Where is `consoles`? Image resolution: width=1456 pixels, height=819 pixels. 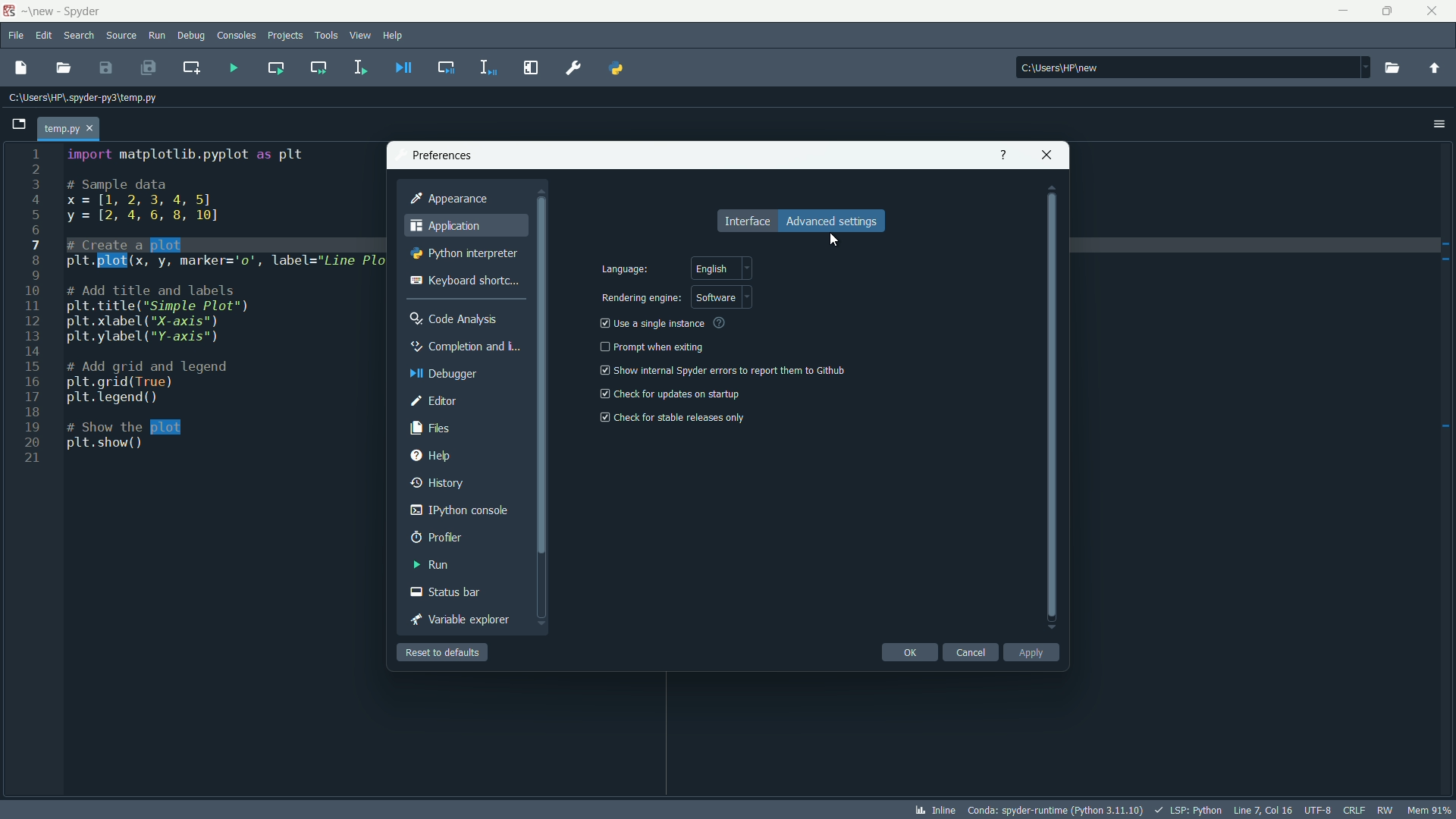
consoles is located at coordinates (237, 36).